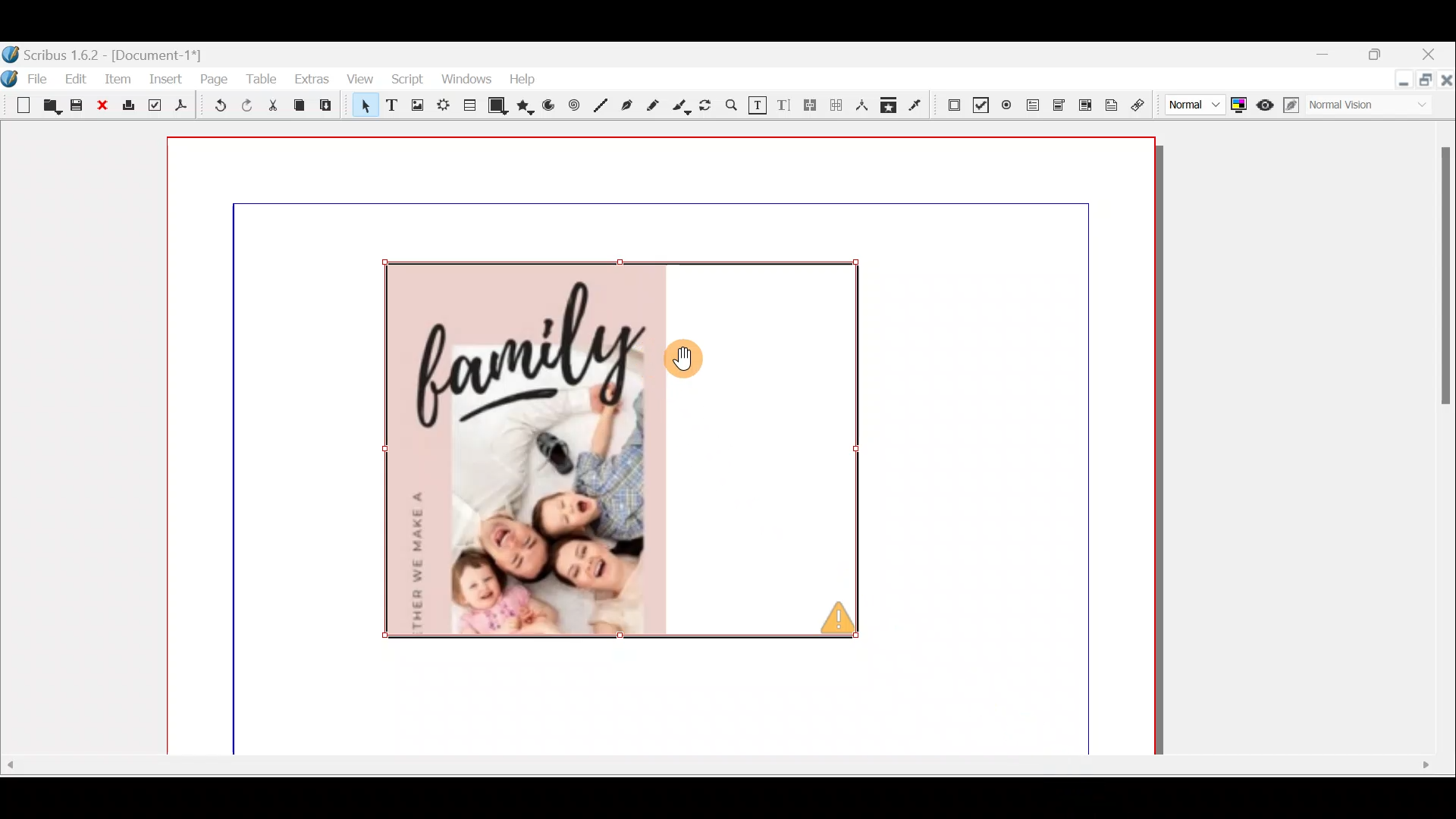  What do you see at coordinates (1402, 82) in the screenshot?
I see `Minimise` at bounding box center [1402, 82].